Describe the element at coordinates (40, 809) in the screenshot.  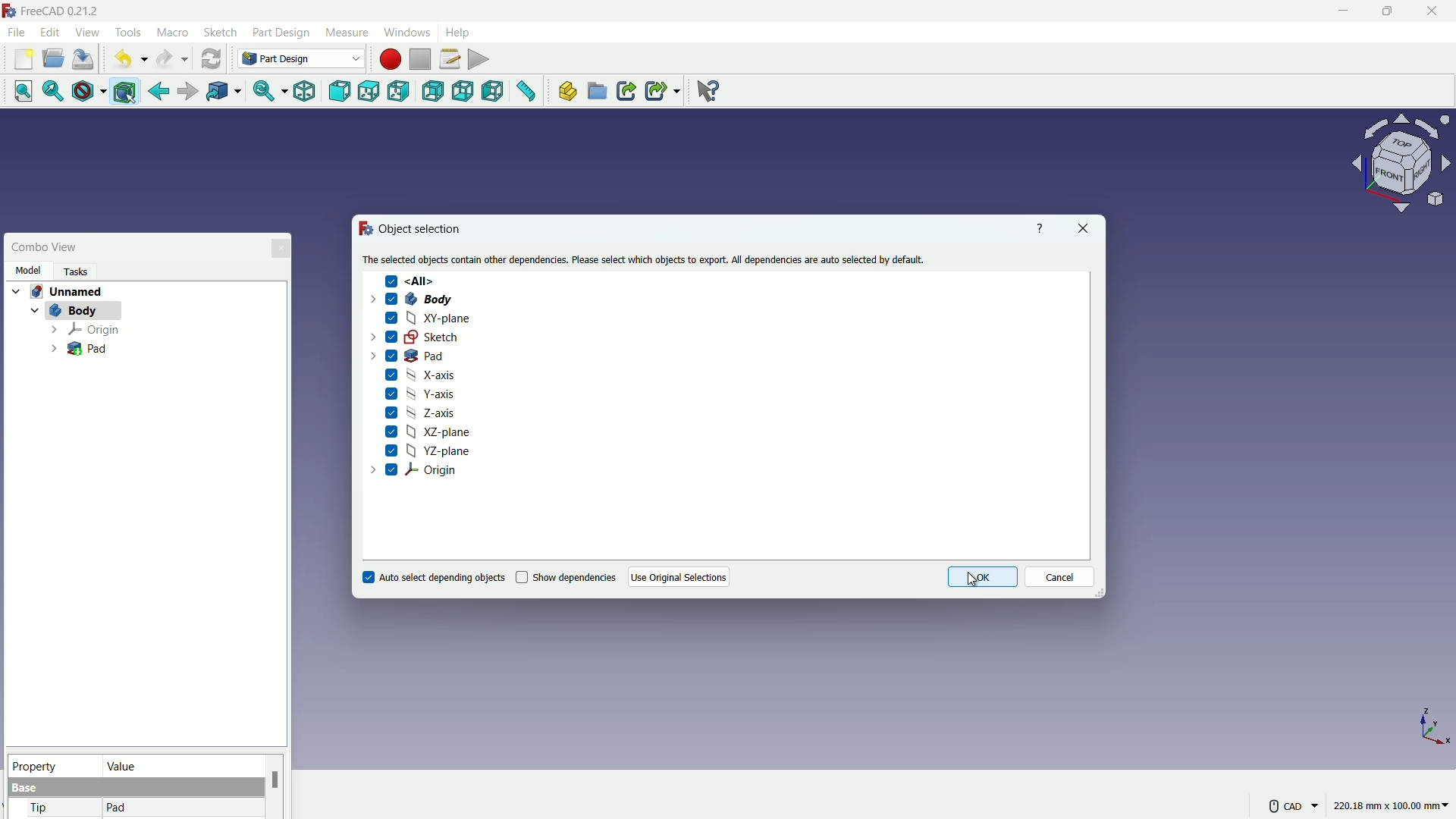
I see `tip` at that location.